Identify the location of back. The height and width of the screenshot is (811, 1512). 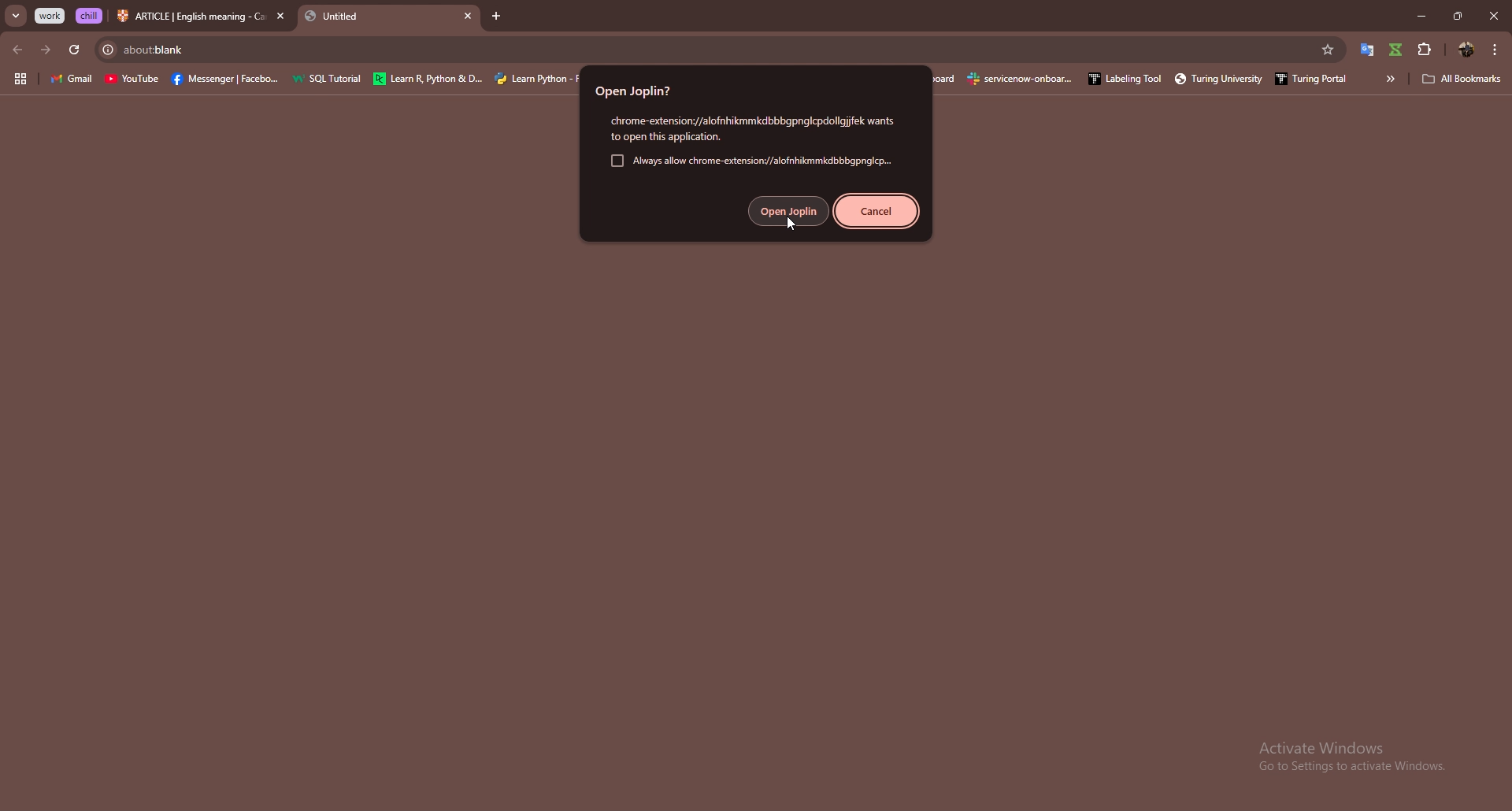
(17, 50).